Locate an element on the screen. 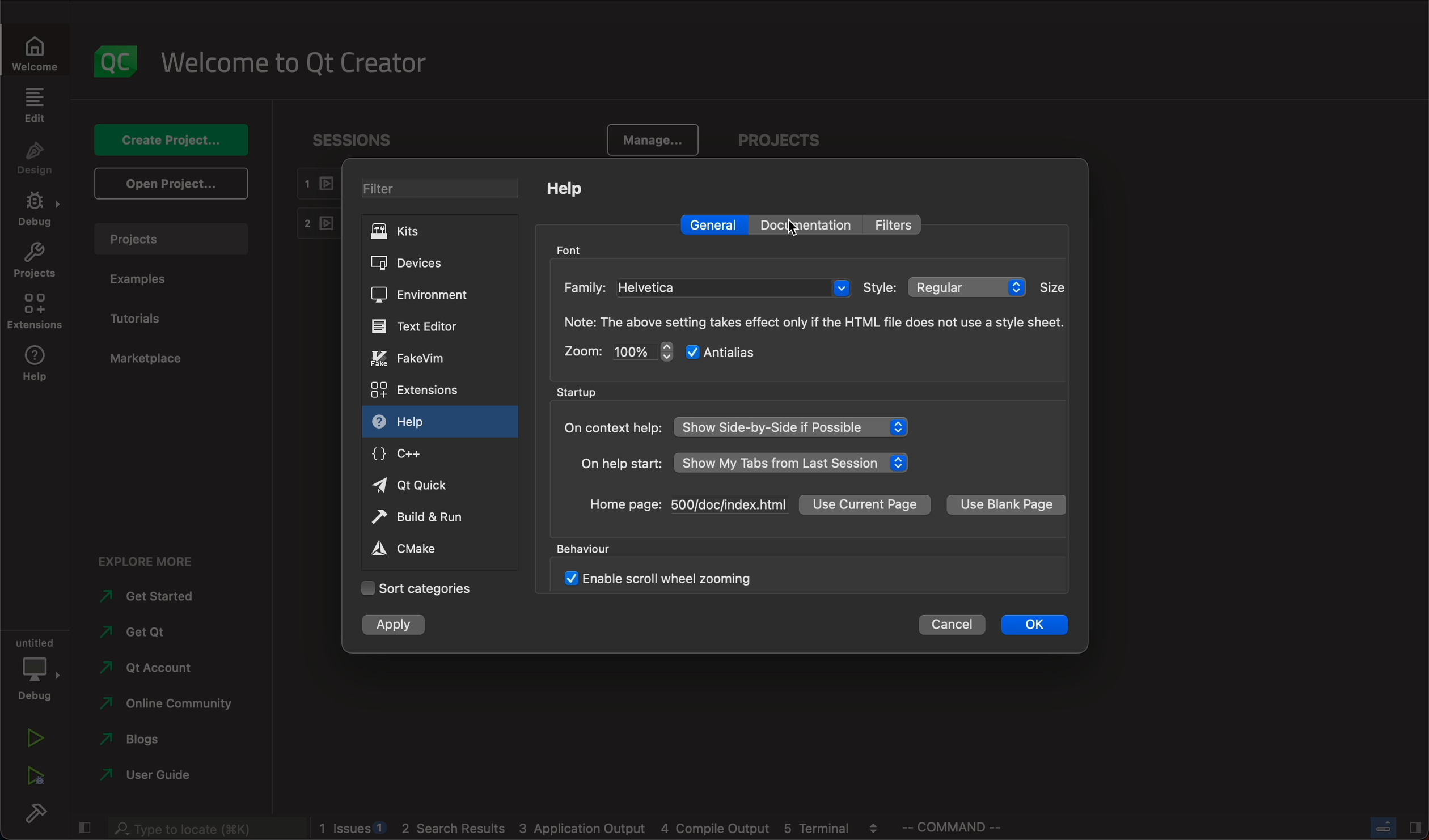  projects is located at coordinates (34, 259).